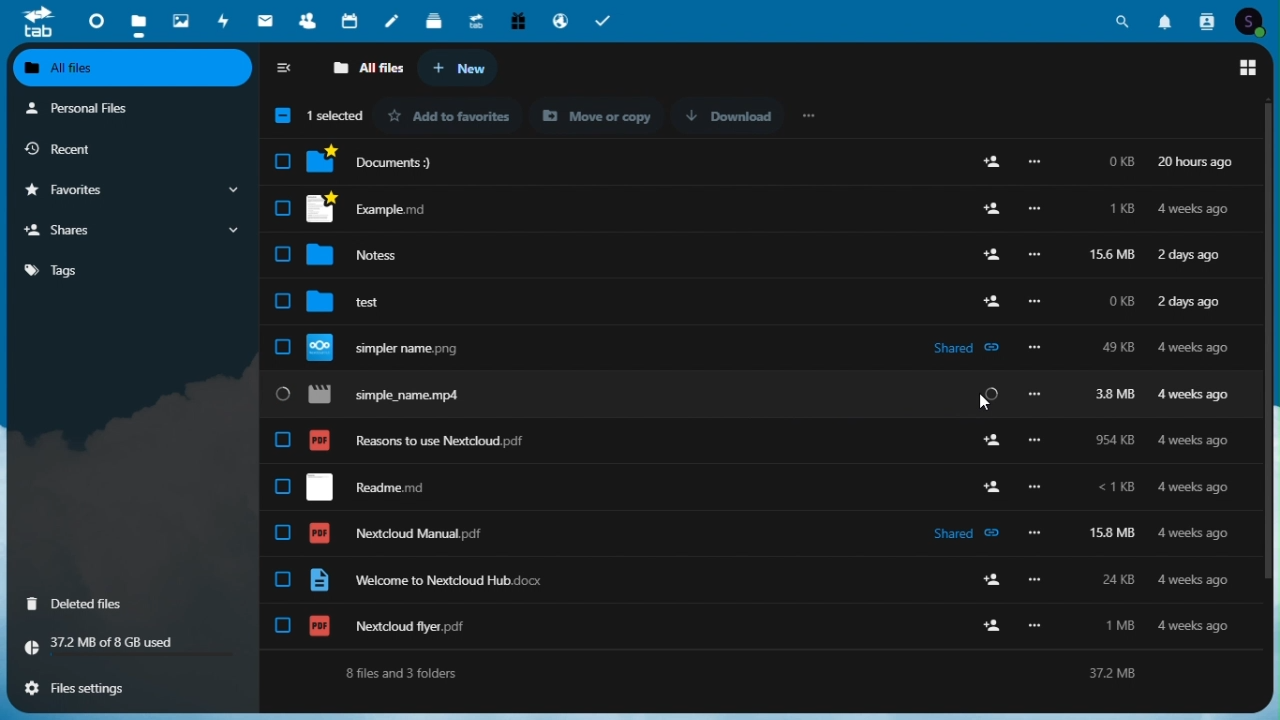  What do you see at coordinates (309, 22) in the screenshot?
I see `Contacts` at bounding box center [309, 22].